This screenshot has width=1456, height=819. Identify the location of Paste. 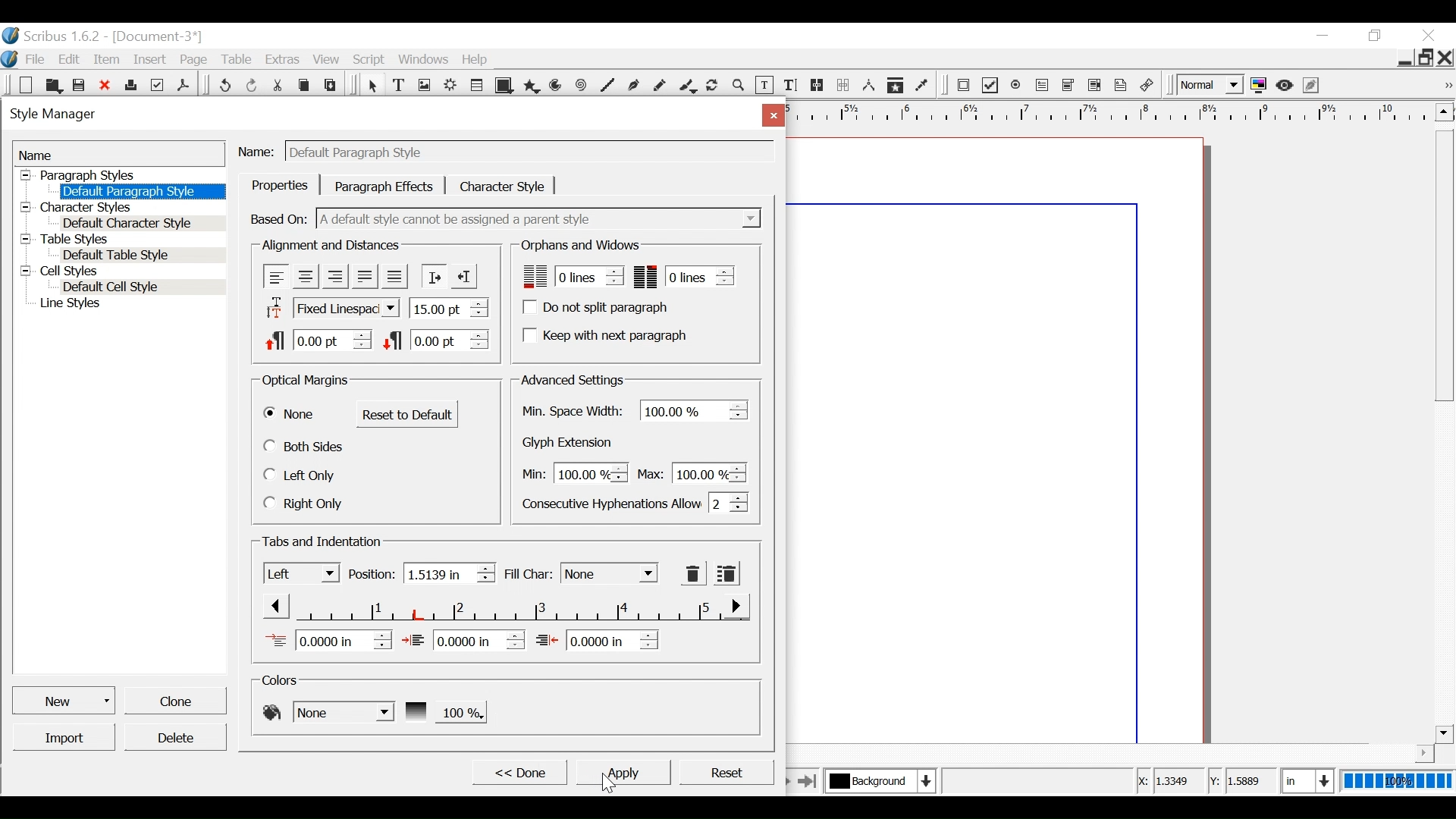
(333, 84).